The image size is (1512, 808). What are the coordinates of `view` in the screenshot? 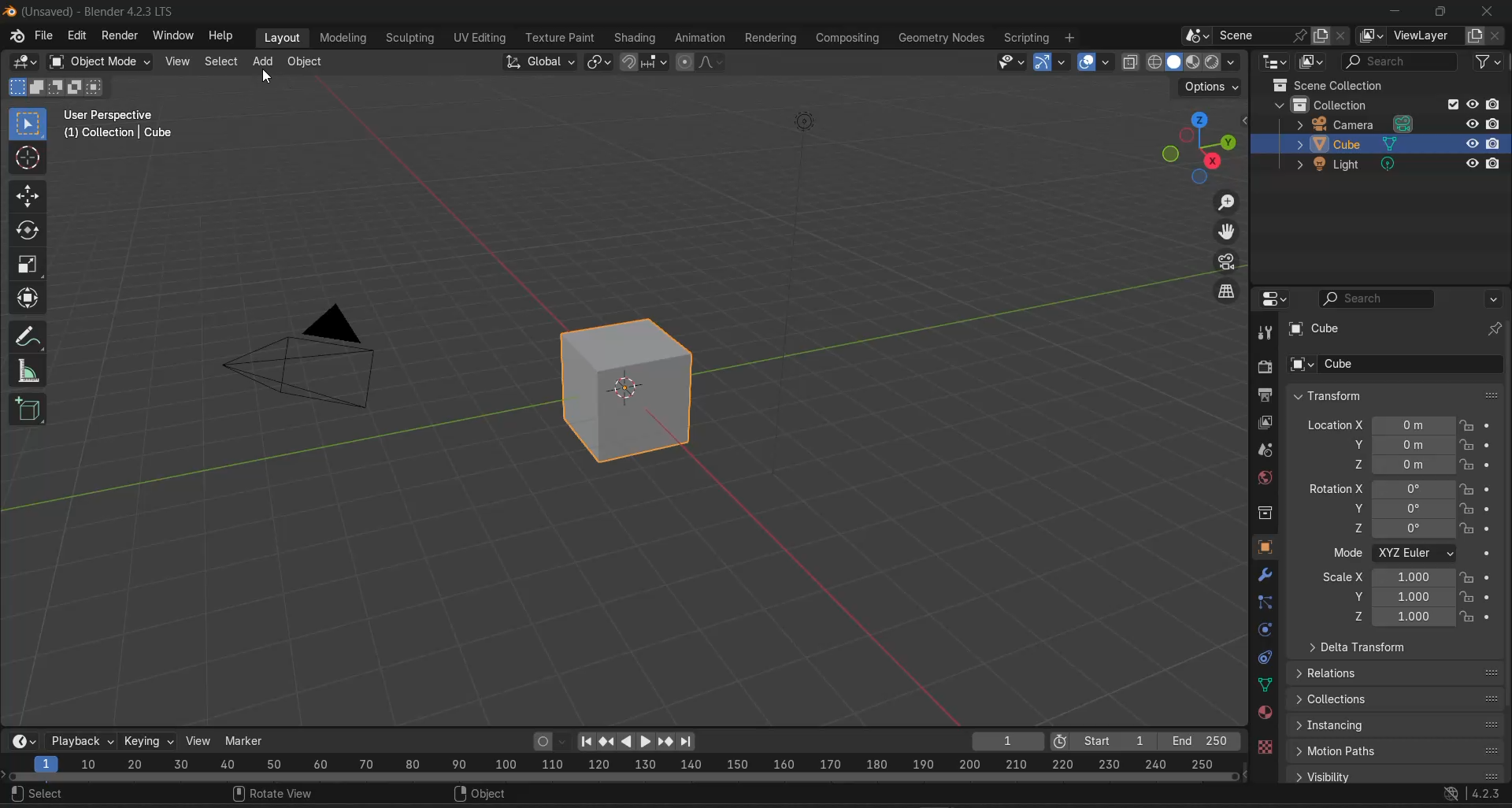 It's located at (198, 740).